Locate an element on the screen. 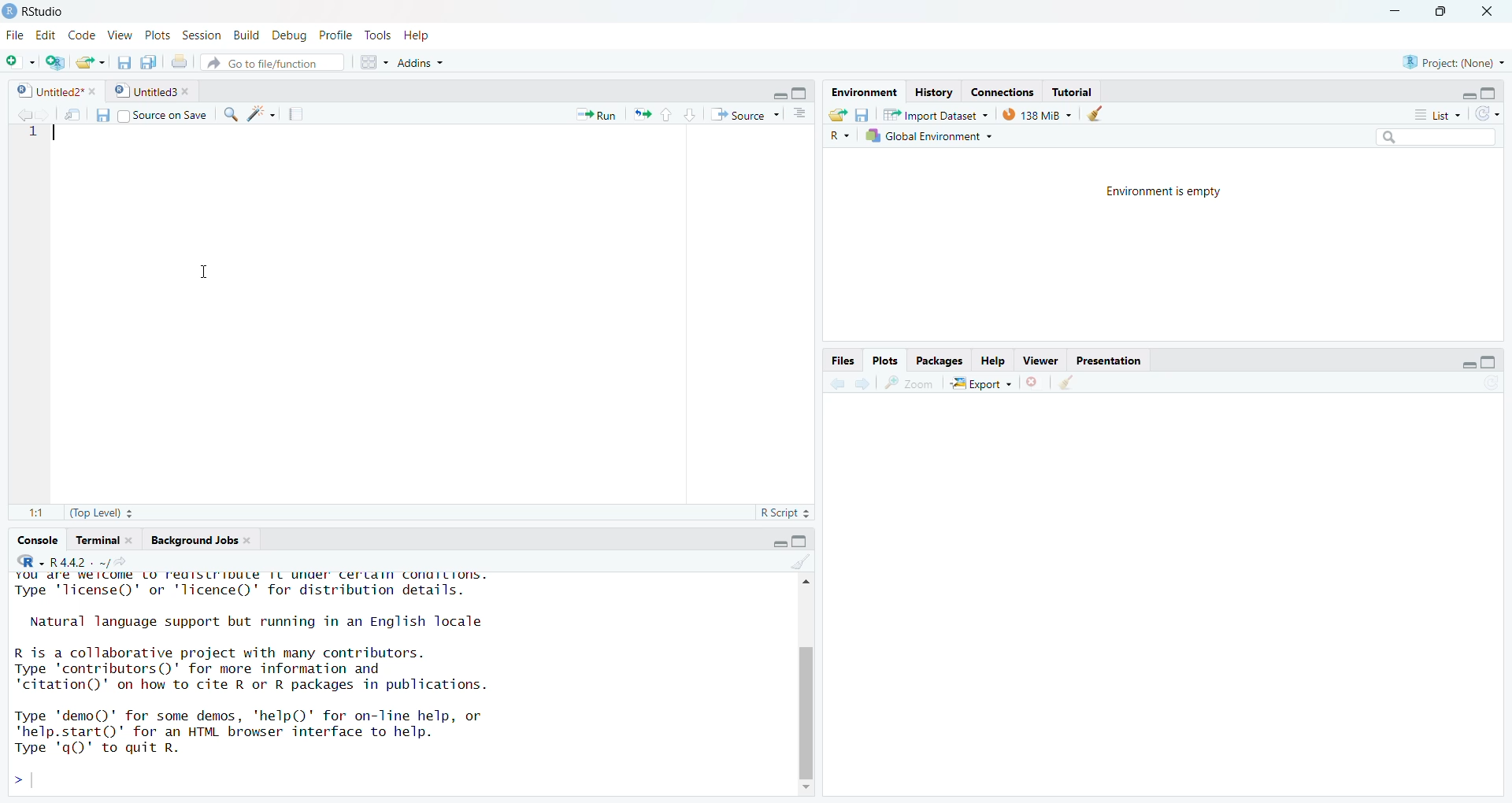 This screenshot has width=1512, height=803. Terminal is located at coordinates (101, 538).